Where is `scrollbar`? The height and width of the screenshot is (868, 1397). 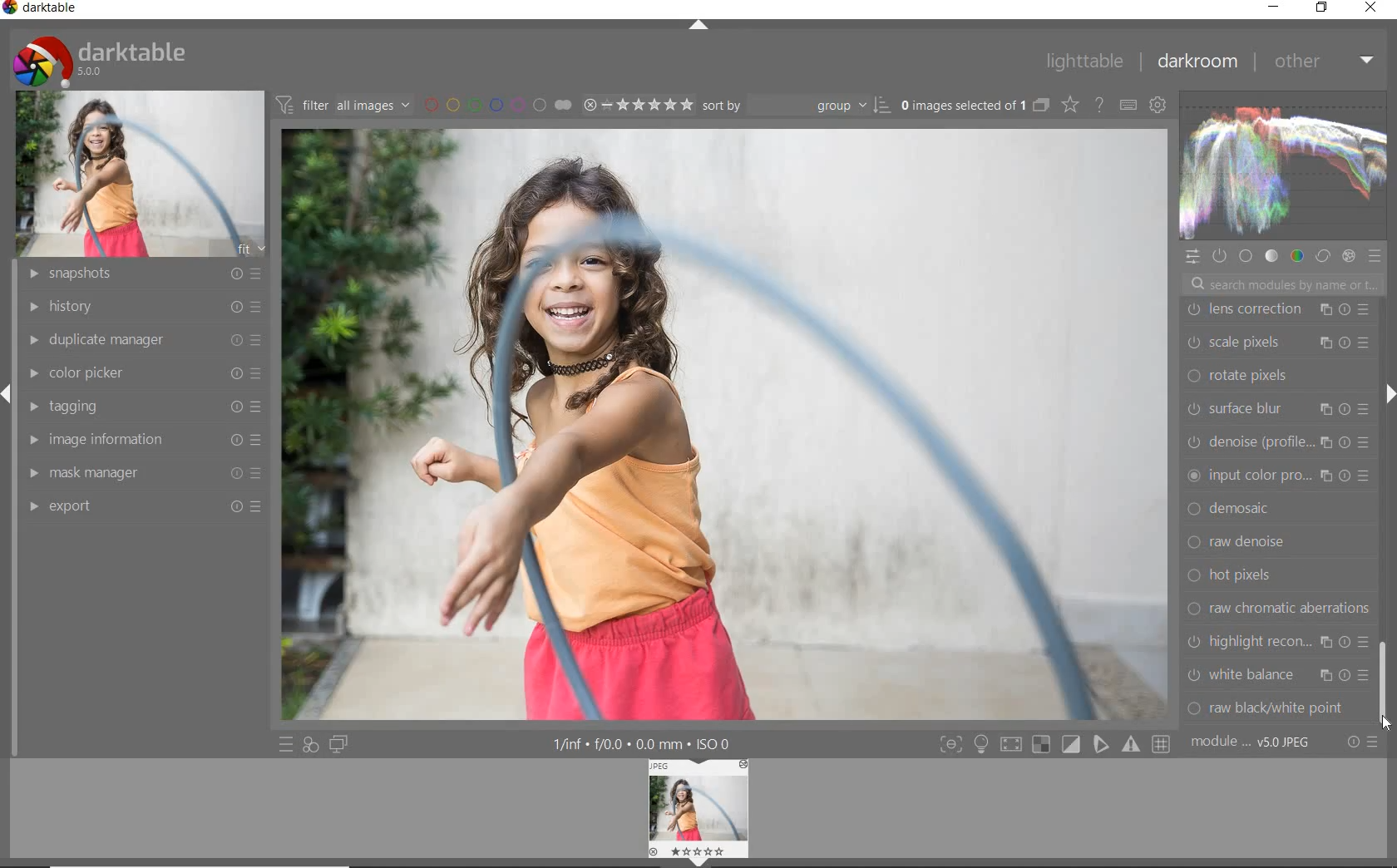 scrollbar is located at coordinates (1380, 675).